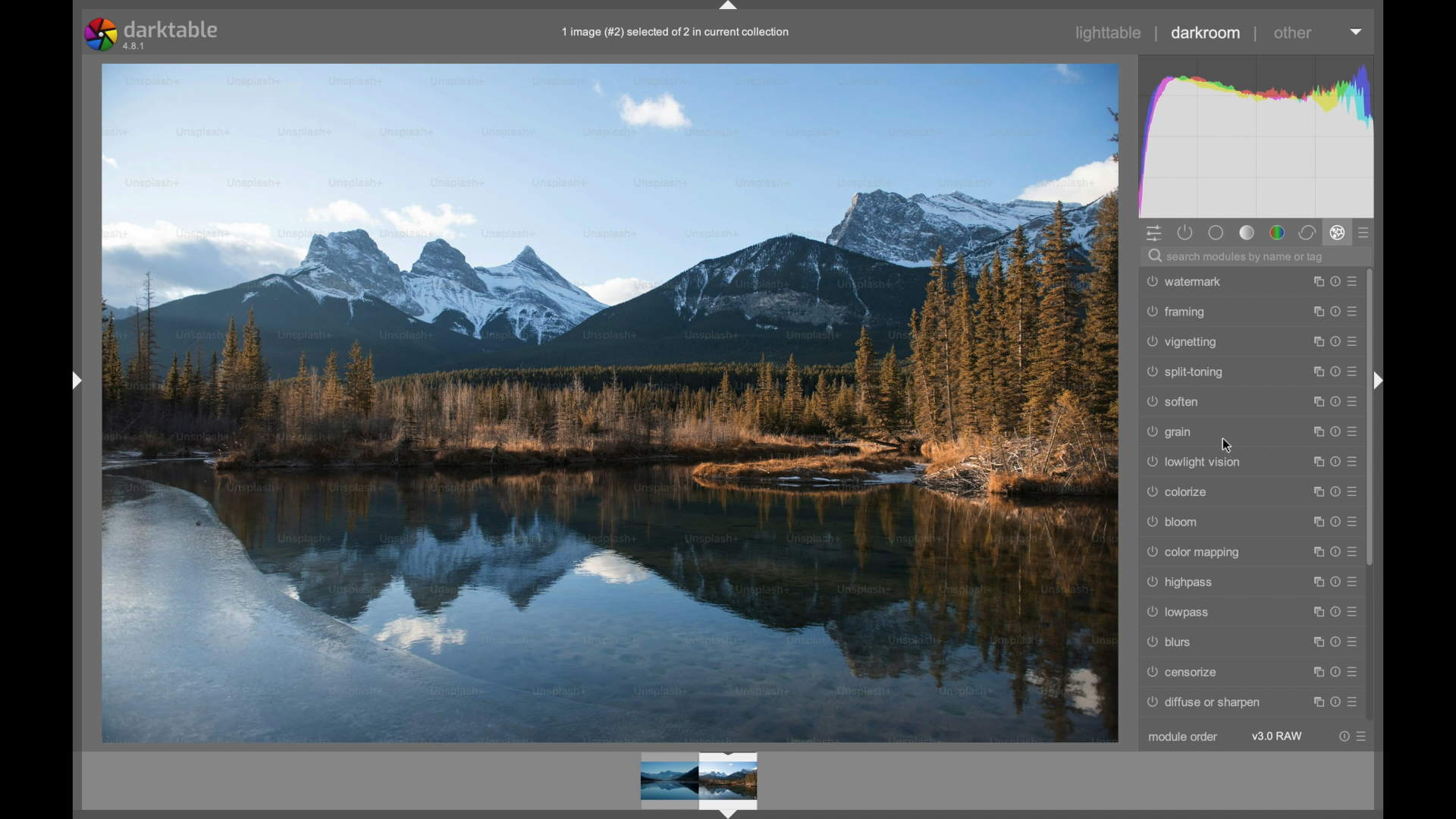  I want to click on reset parameters, so click(1335, 582).